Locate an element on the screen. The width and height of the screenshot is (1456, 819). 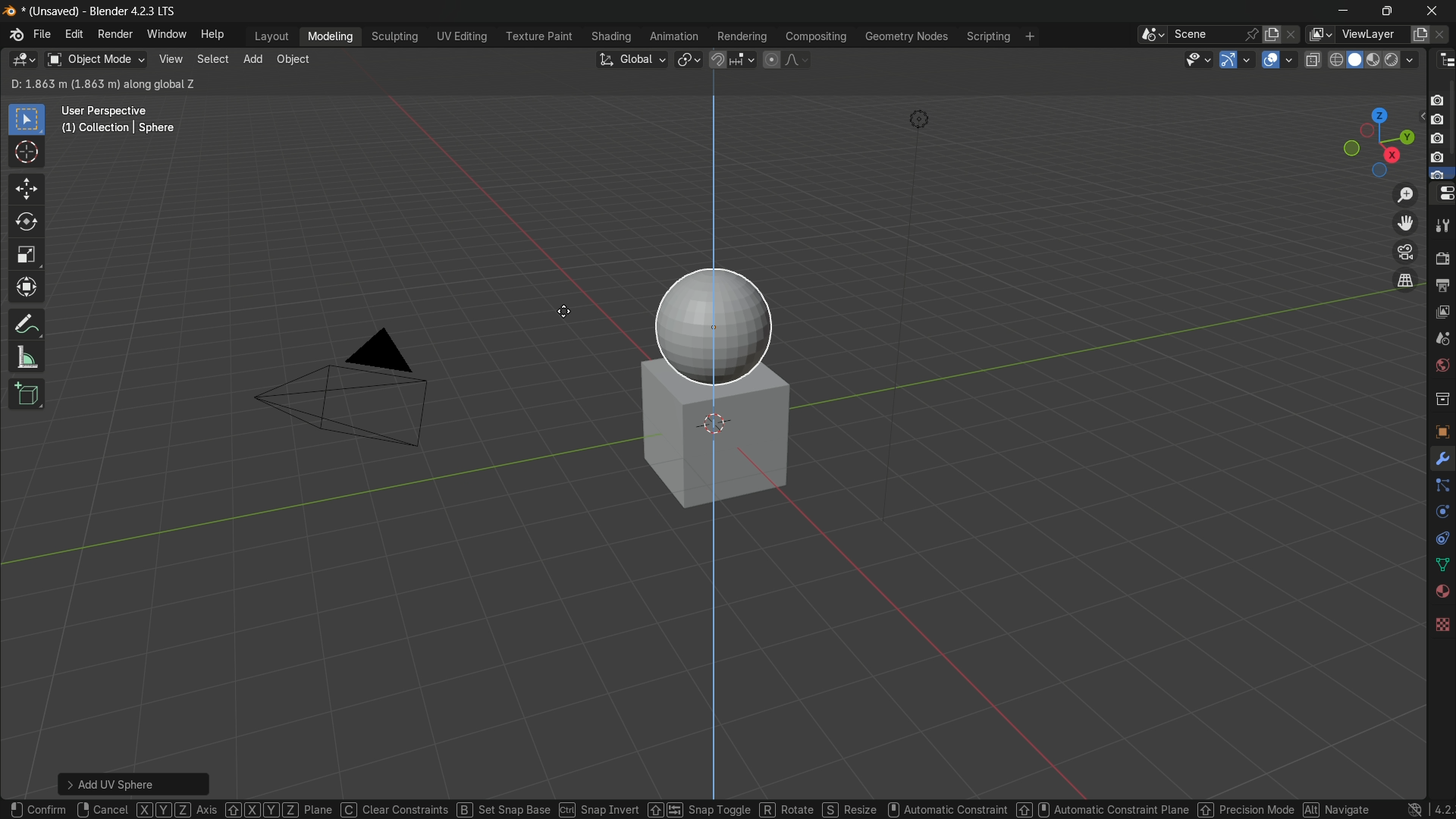
Mesh Data Properties is located at coordinates (1439, 563).